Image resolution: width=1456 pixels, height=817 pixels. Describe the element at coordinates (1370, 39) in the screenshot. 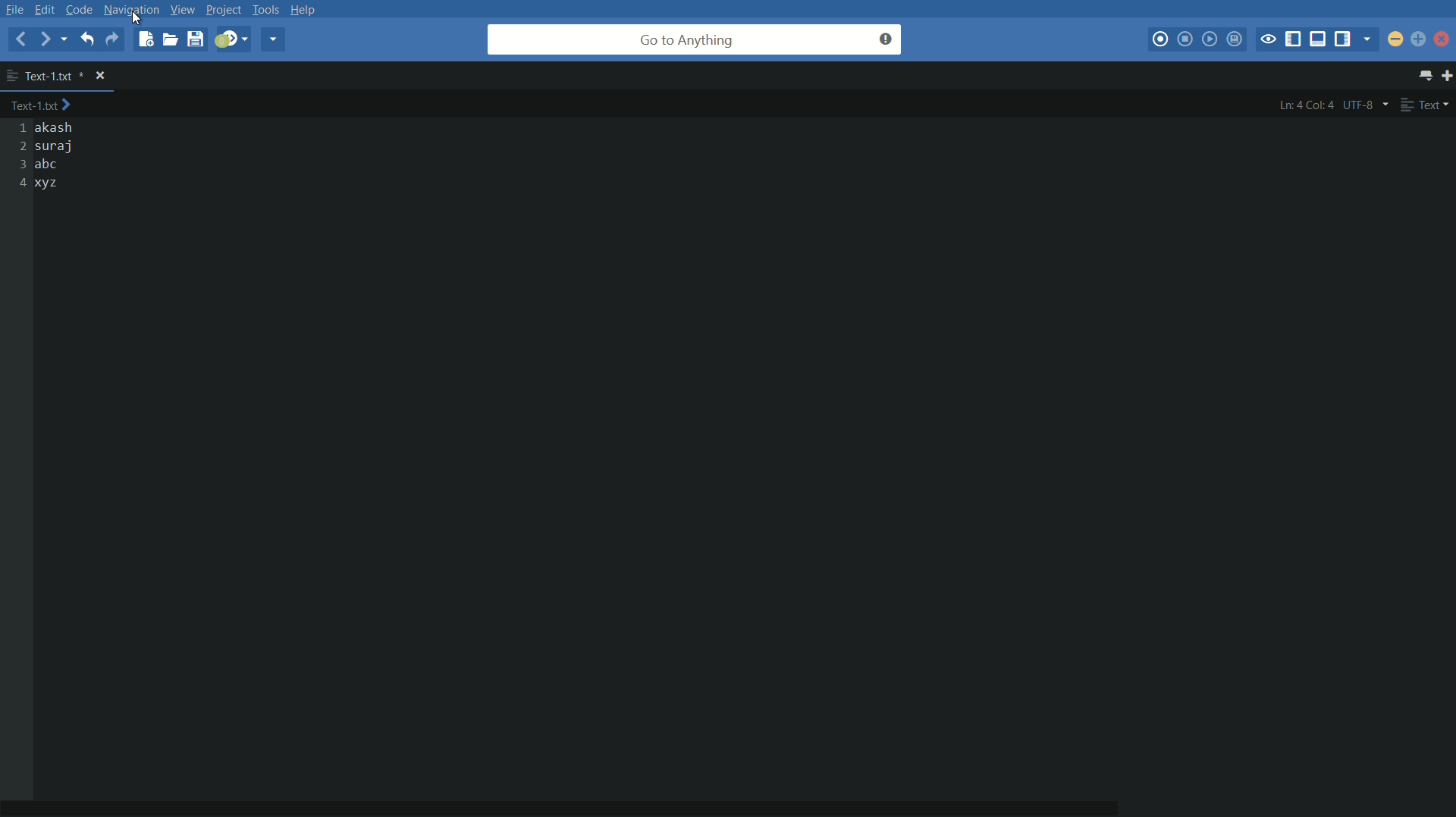

I see `show specific sidebar/tab` at that location.